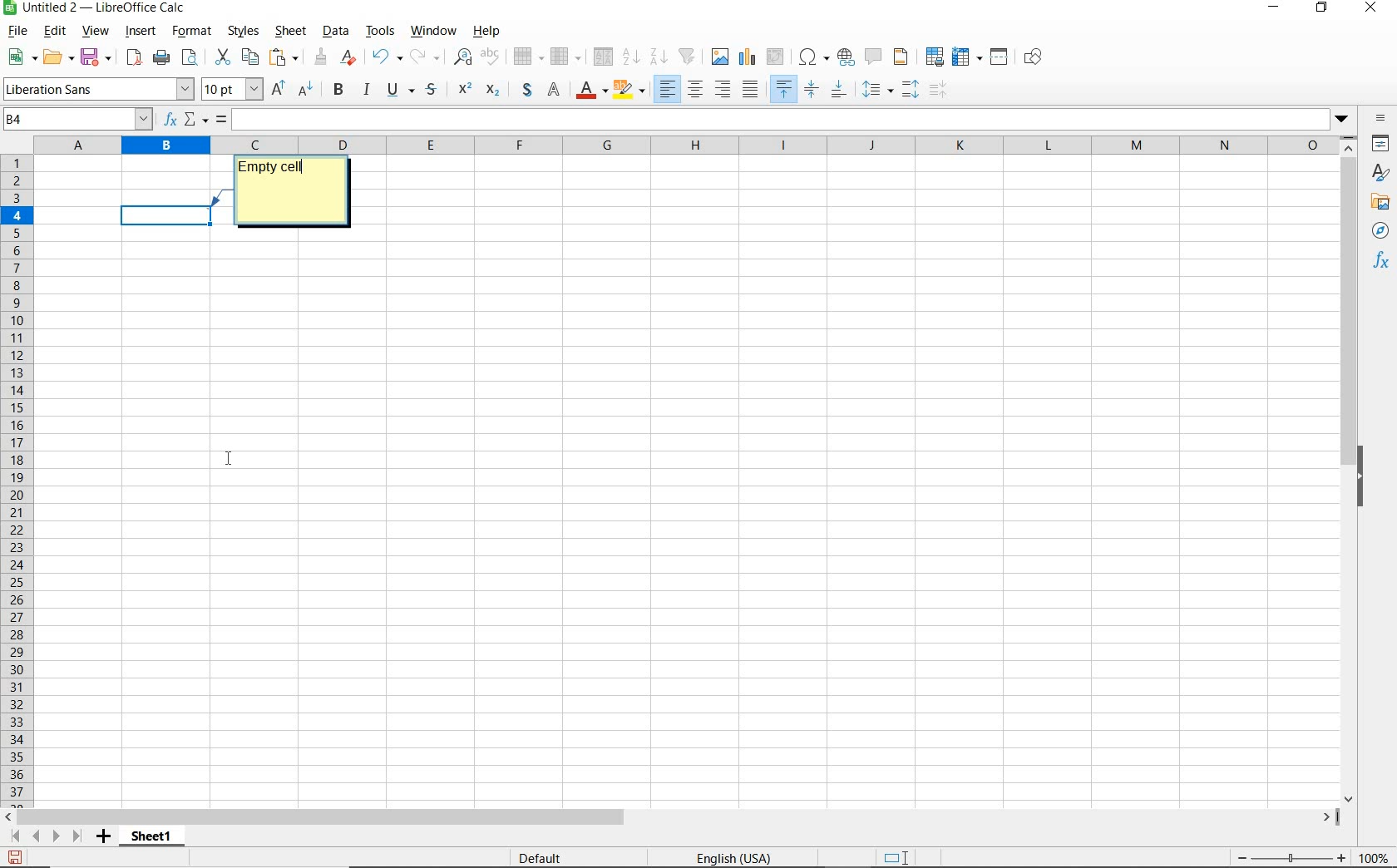 The width and height of the screenshot is (1397, 868). What do you see at coordinates (170, 120) in the screenshot?
I see `function wizard` at bounding box center [170, 120].